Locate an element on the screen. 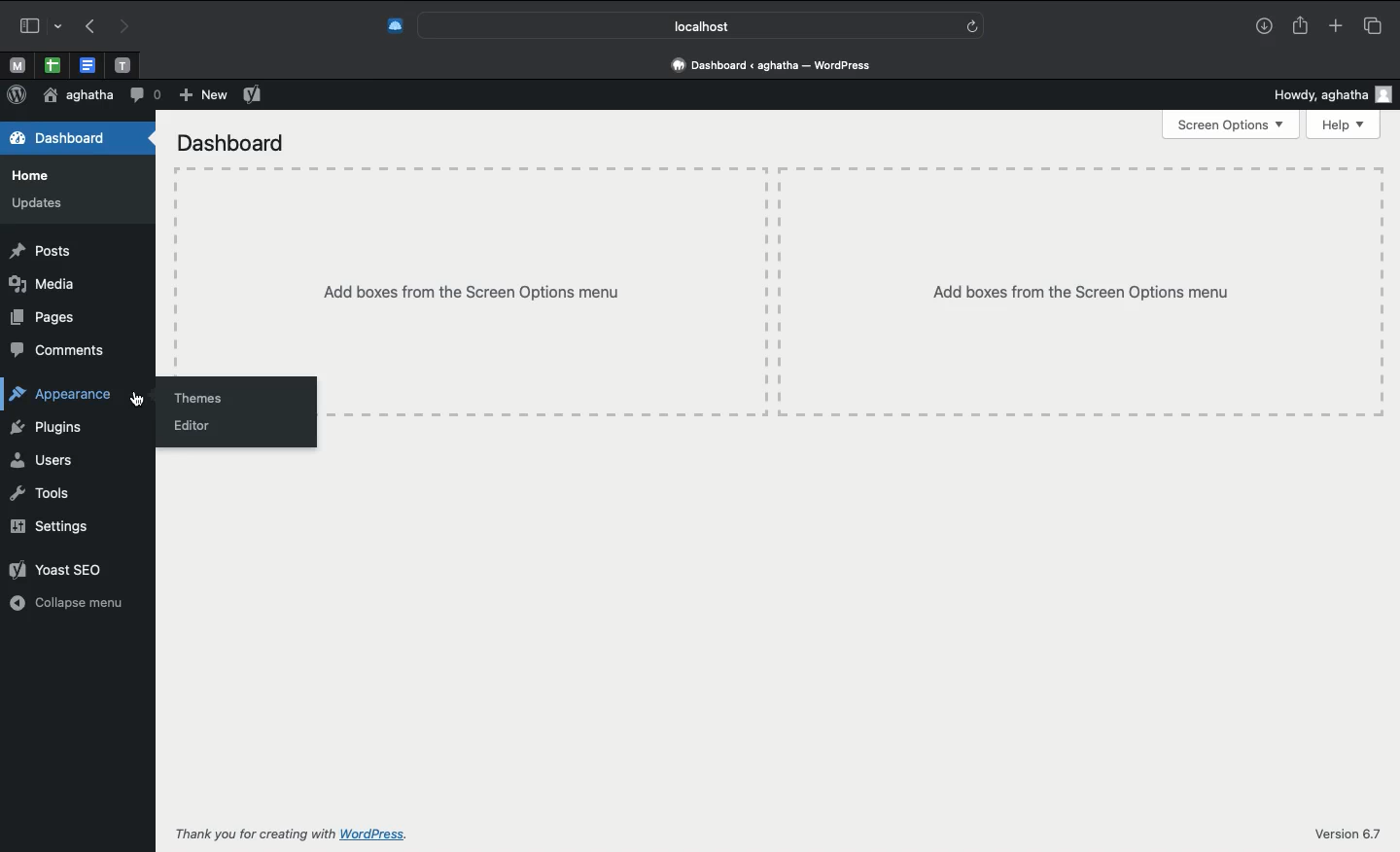  Sidebar is located at coordinates (37, 25).